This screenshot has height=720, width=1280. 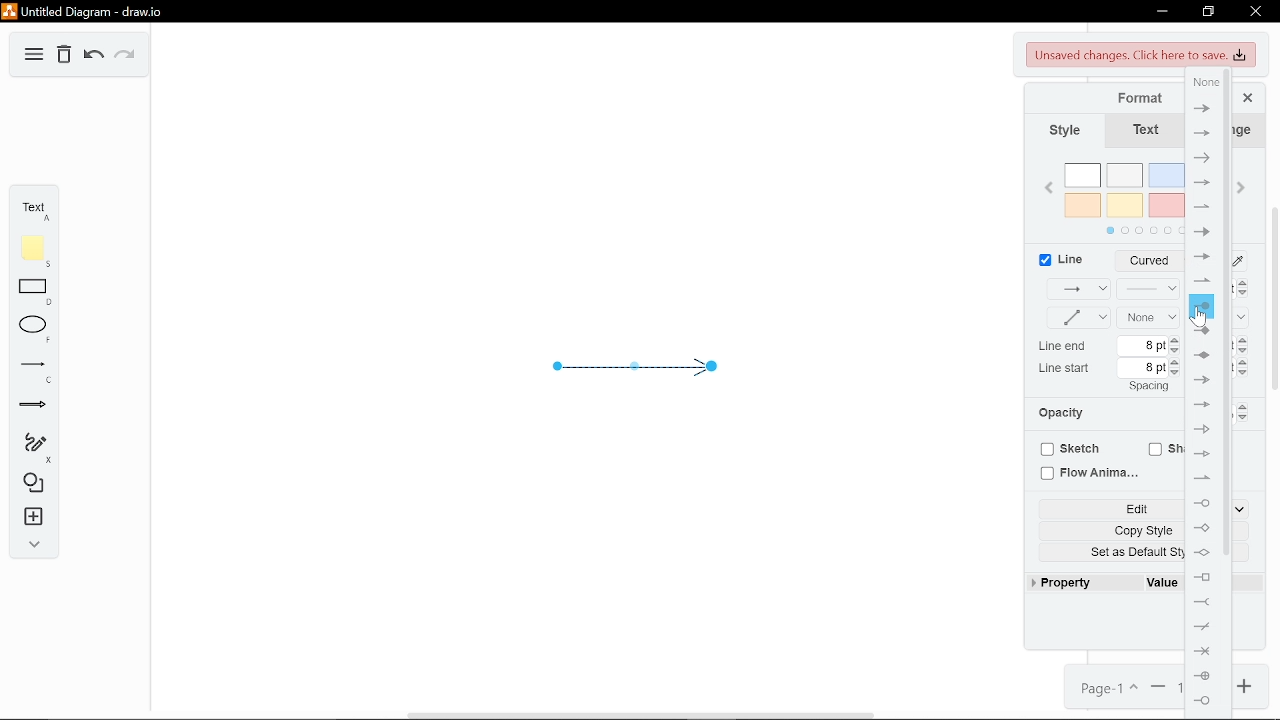 What do you see at coordinates (34, 55) in the screenshot?
I see `Diagram` at bounding box center [34, 55].